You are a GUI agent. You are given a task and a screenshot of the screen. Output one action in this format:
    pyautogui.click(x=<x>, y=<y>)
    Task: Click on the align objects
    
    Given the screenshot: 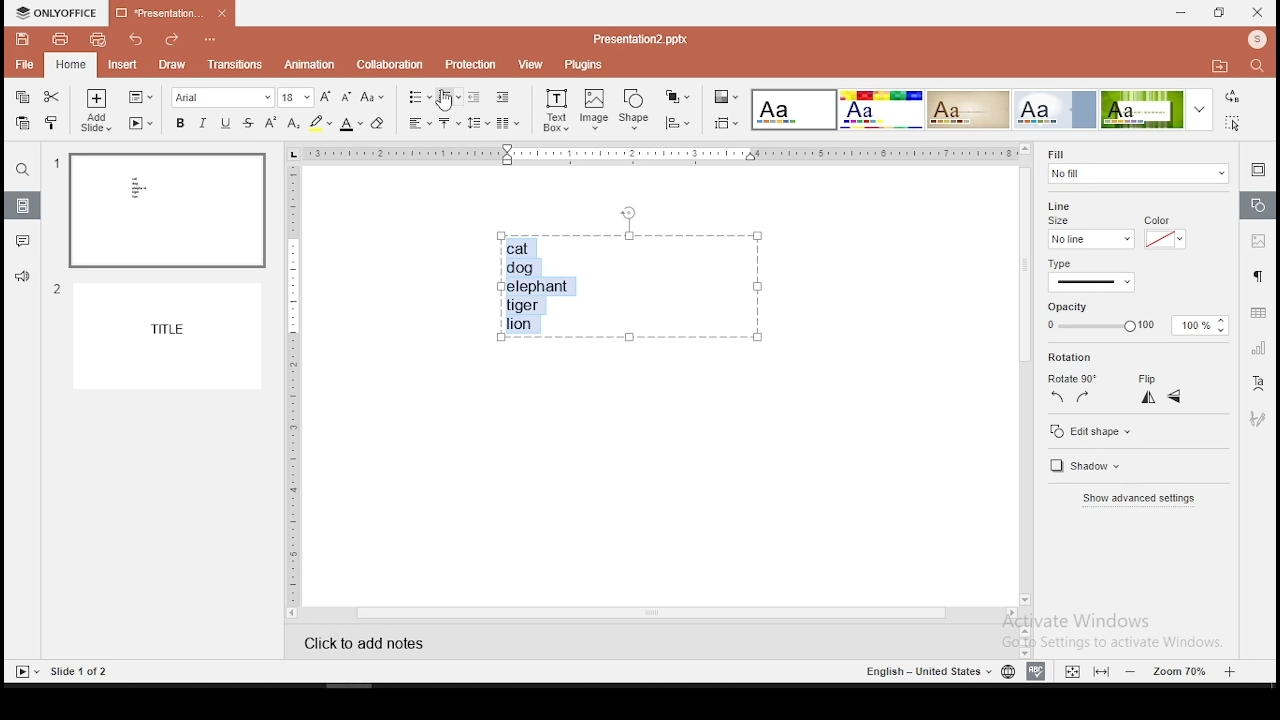 What is the action you would take?
    pyautogui.click(x=676, y=123)
    